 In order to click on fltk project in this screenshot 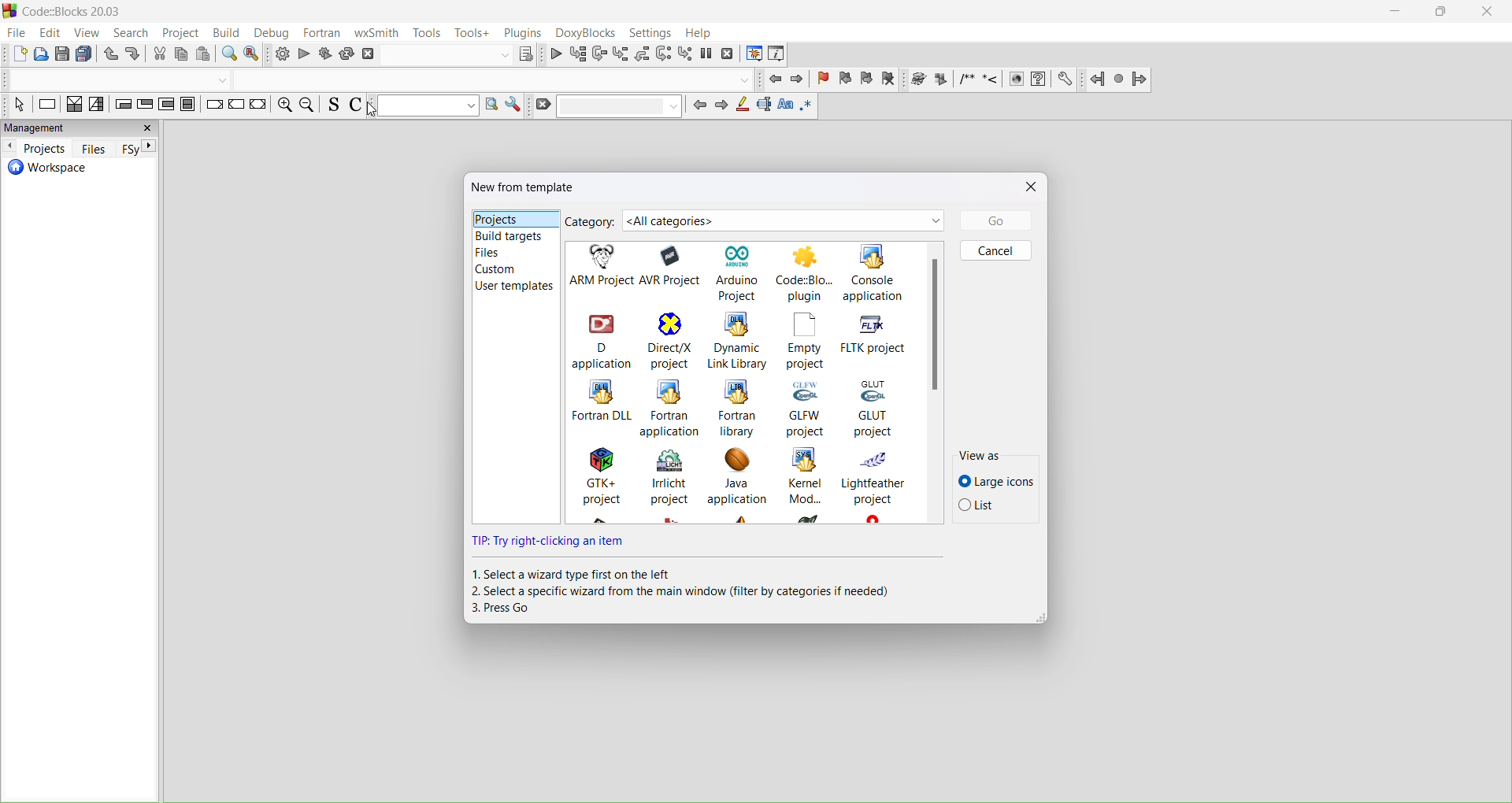, I will do `click(878, 335)`.